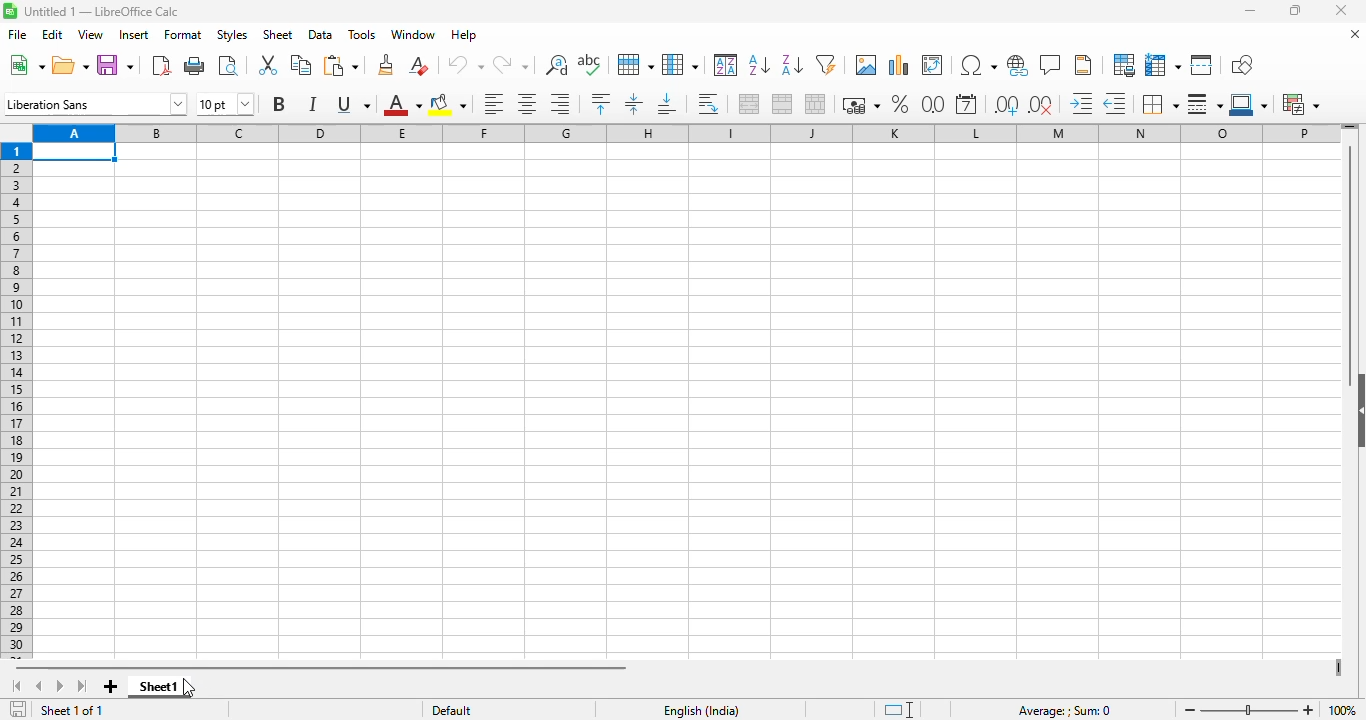 This screenshot has height=720, width=1366. I want to click on row, so click(635, 65).